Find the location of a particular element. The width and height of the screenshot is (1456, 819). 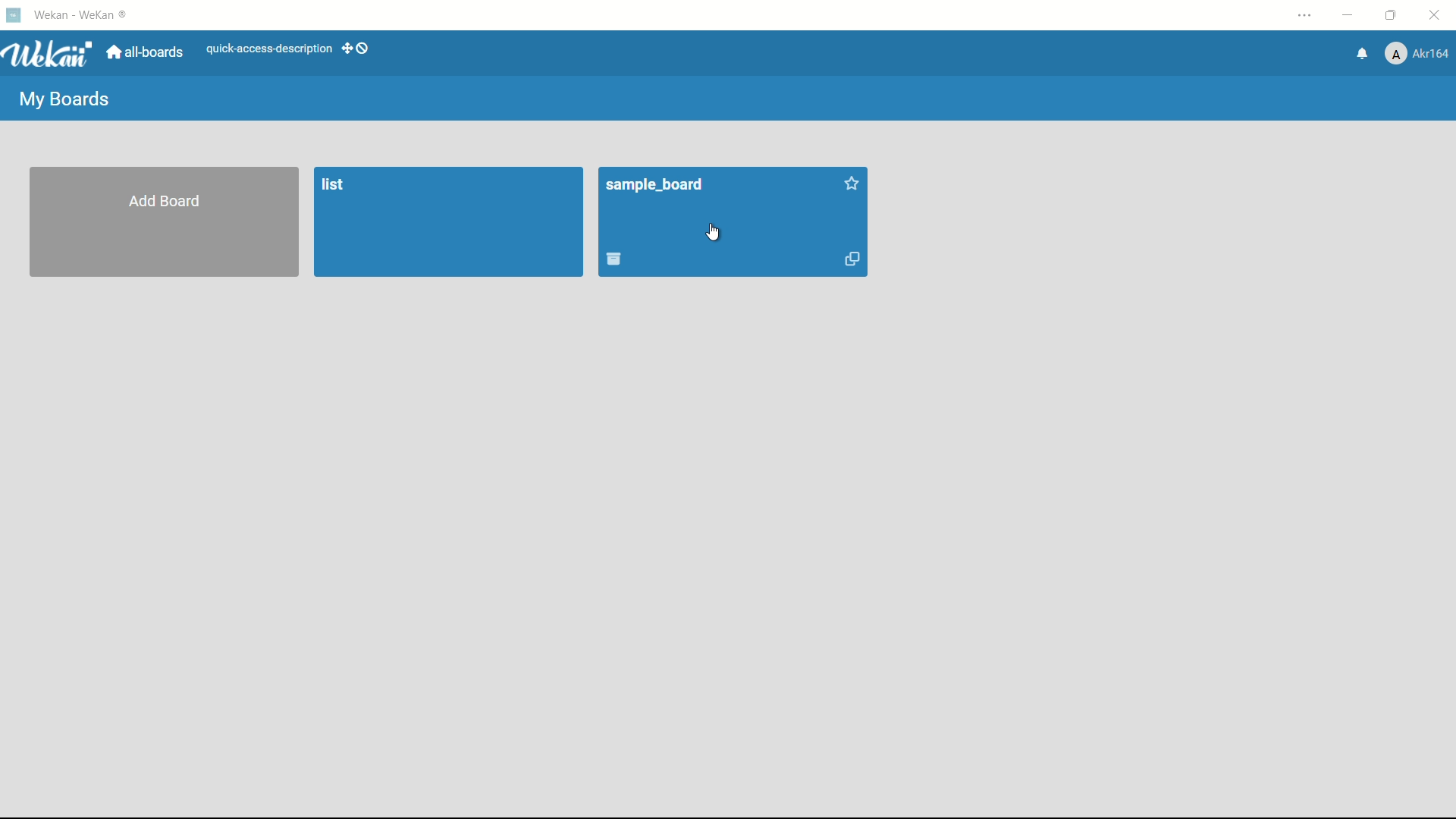

maximize is located at coordinates (1393, 16).